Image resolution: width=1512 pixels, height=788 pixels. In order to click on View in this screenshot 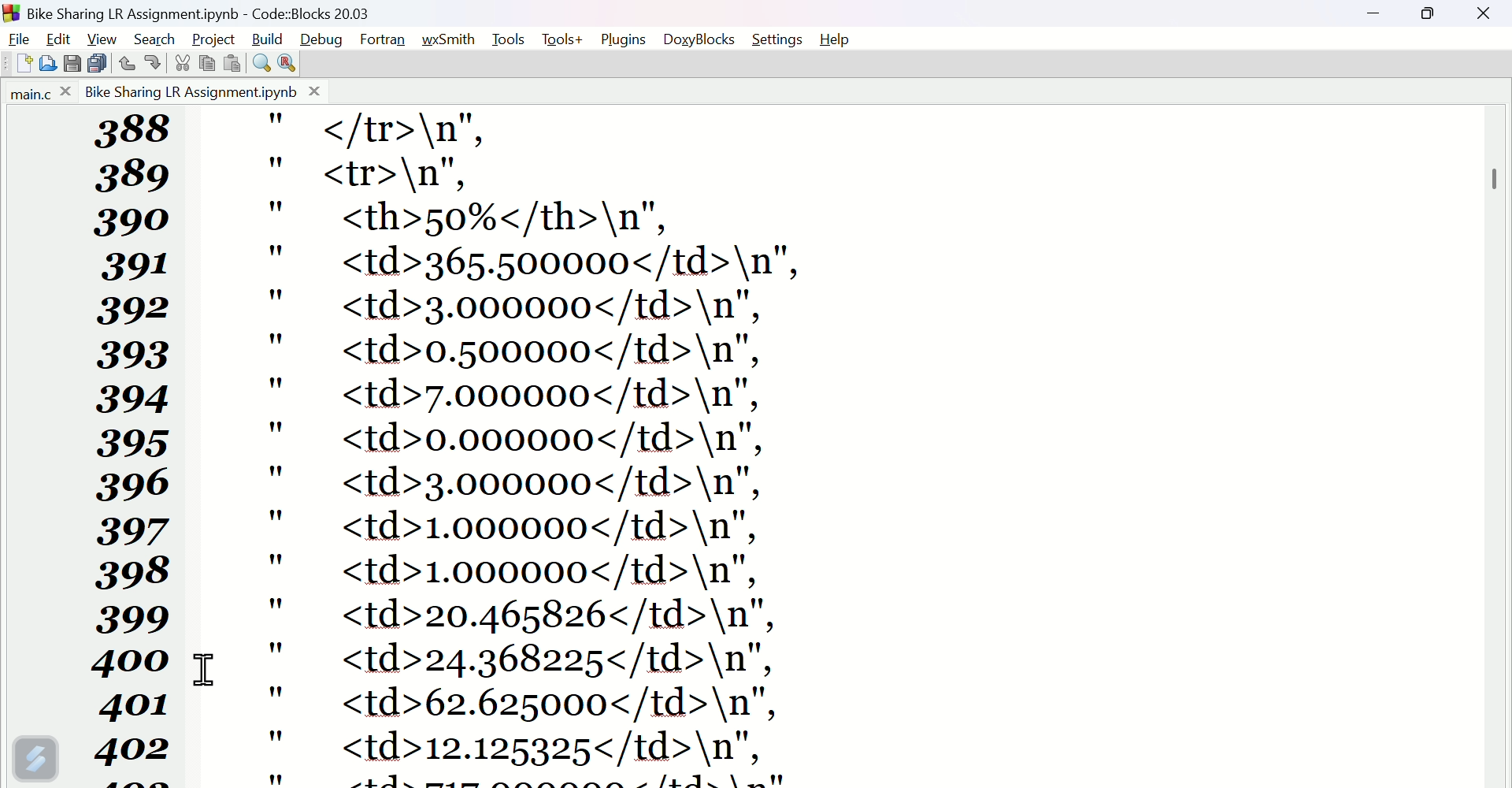, I will do `click(105, 37)`.